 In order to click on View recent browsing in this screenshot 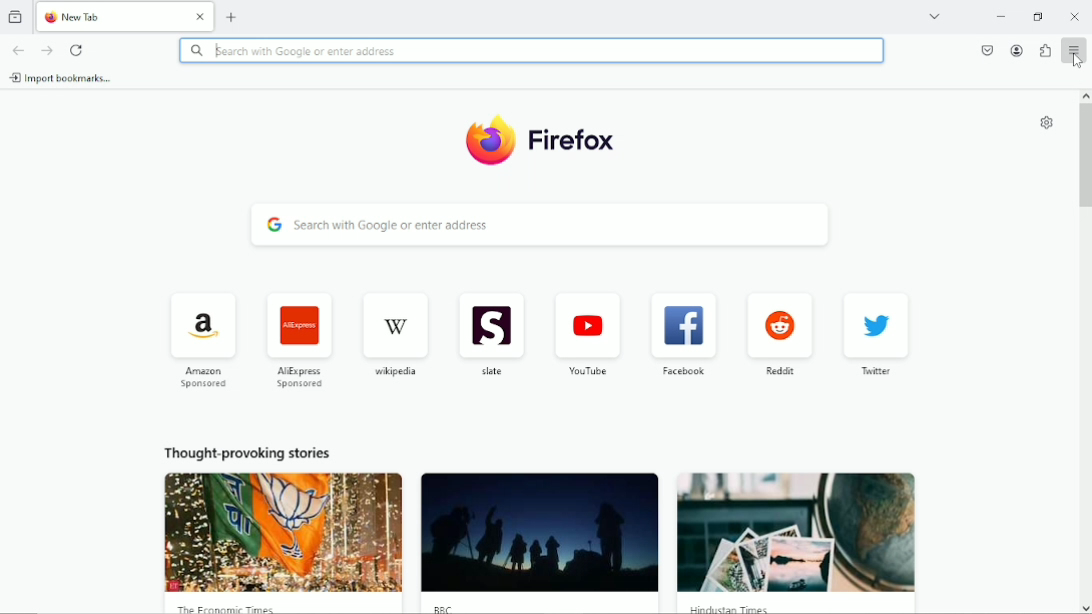, I will do `click(17, 16)`.